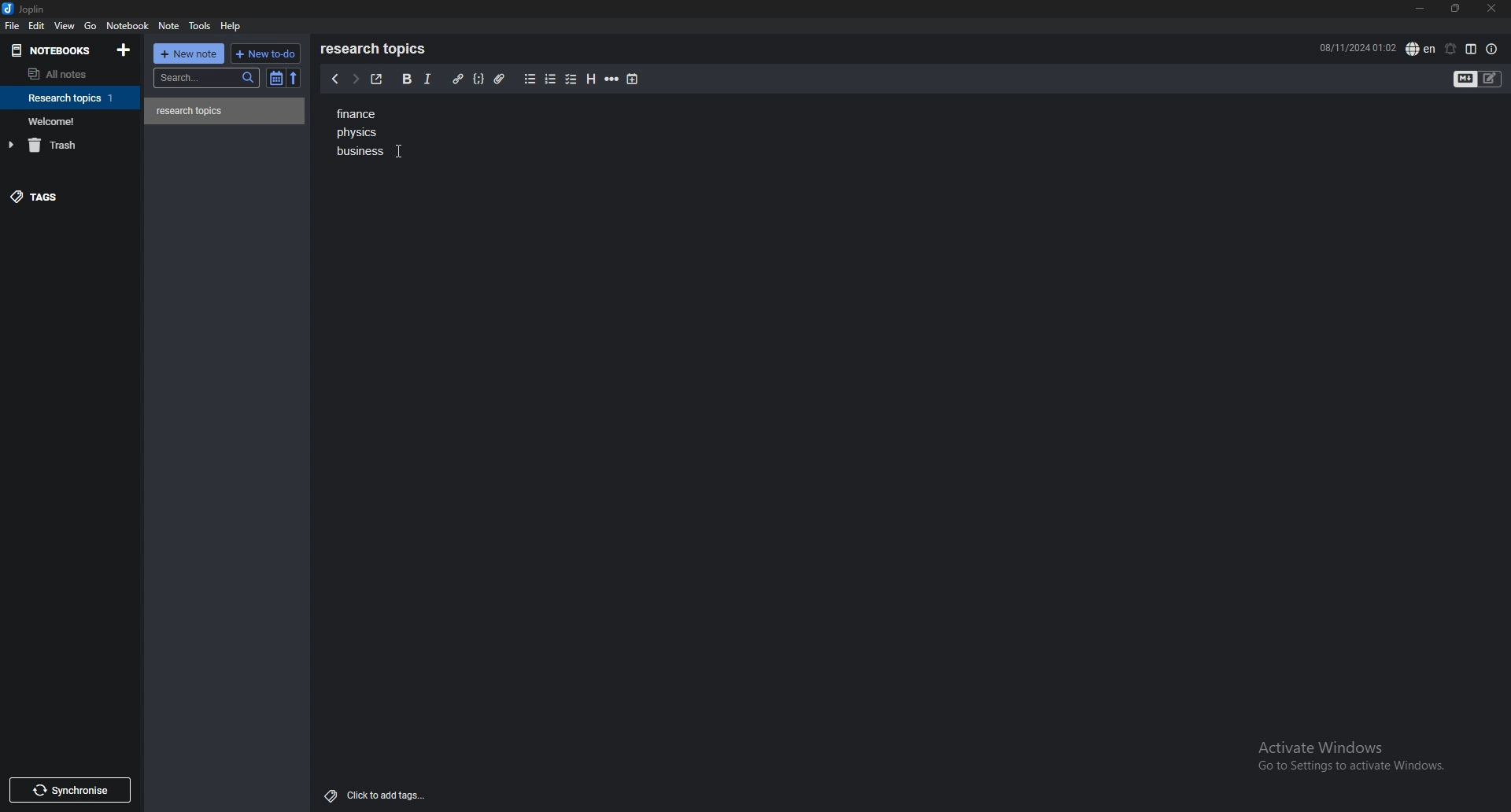  What do you see at coordinates (401, 153) in the screenshot?
I see `cursor` at bounding box center [401, 153].